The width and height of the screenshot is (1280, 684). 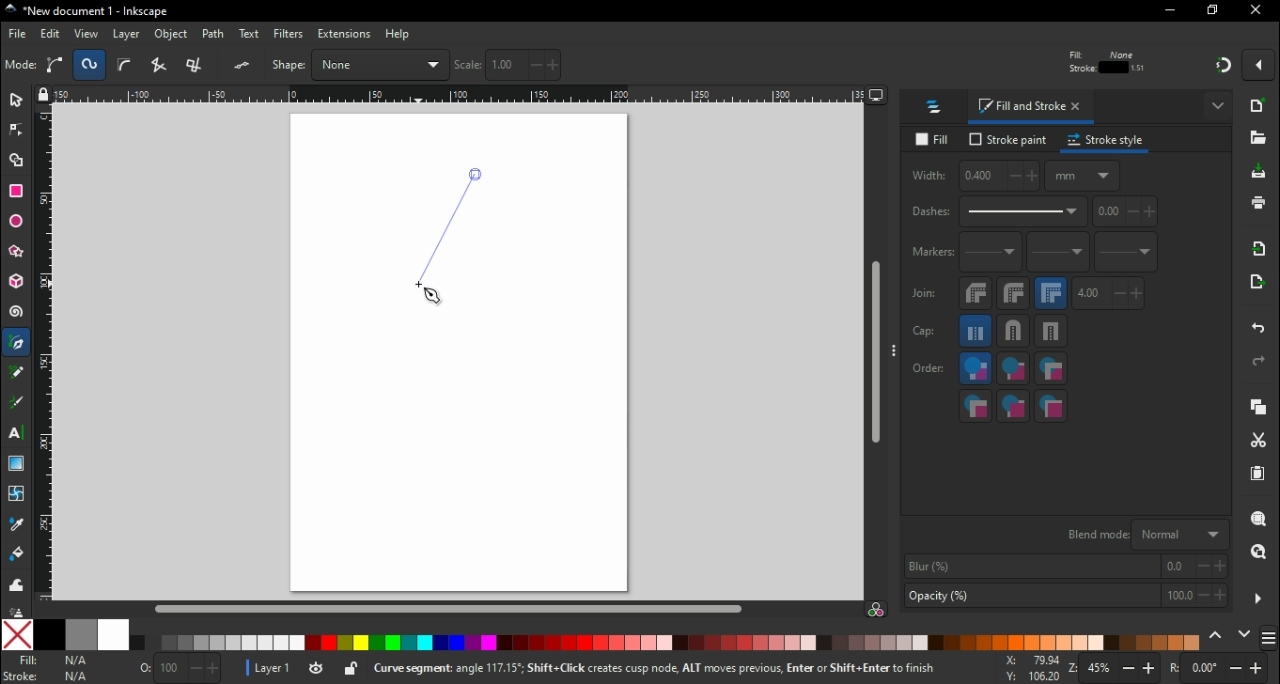 I want to click on create regular bezier path, so click(x=56, y=65).